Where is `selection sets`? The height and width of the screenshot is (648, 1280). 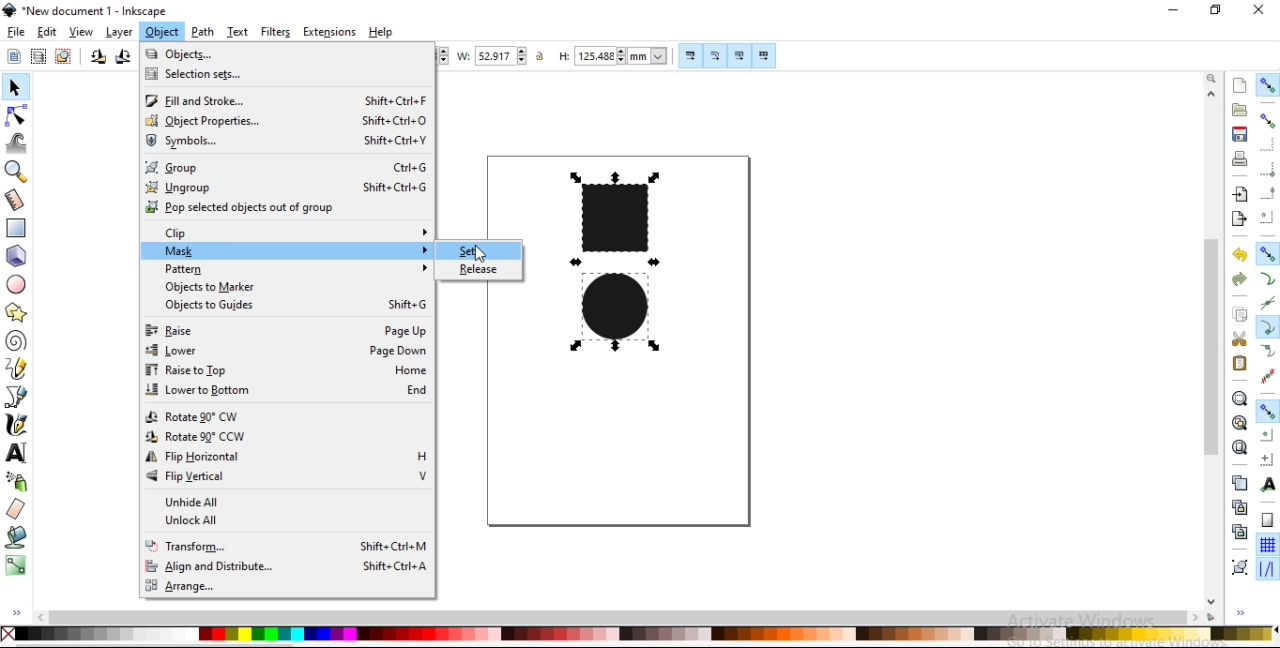
selection sets is located at coordinates (271, 75).